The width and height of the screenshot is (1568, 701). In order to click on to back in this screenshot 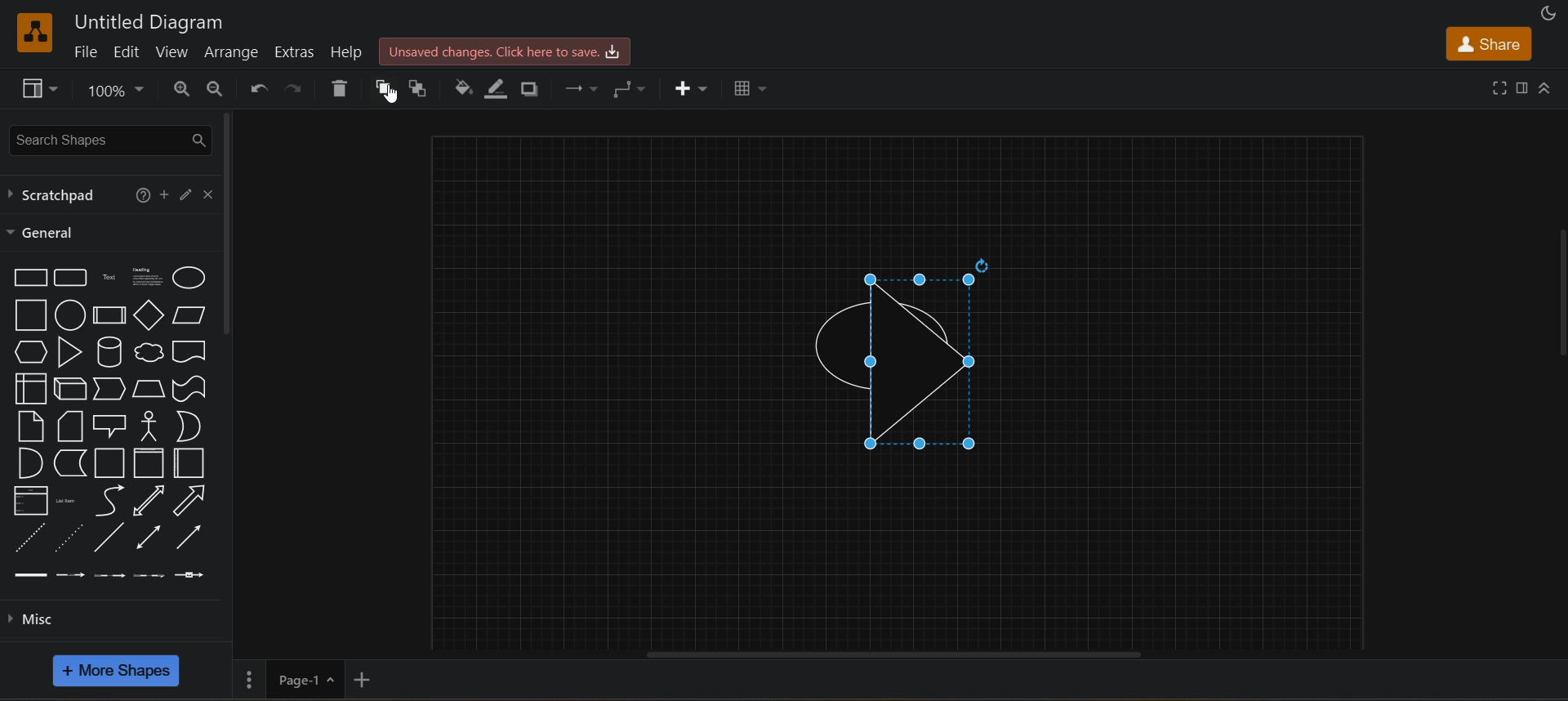, I will do `click(421, 86)`.